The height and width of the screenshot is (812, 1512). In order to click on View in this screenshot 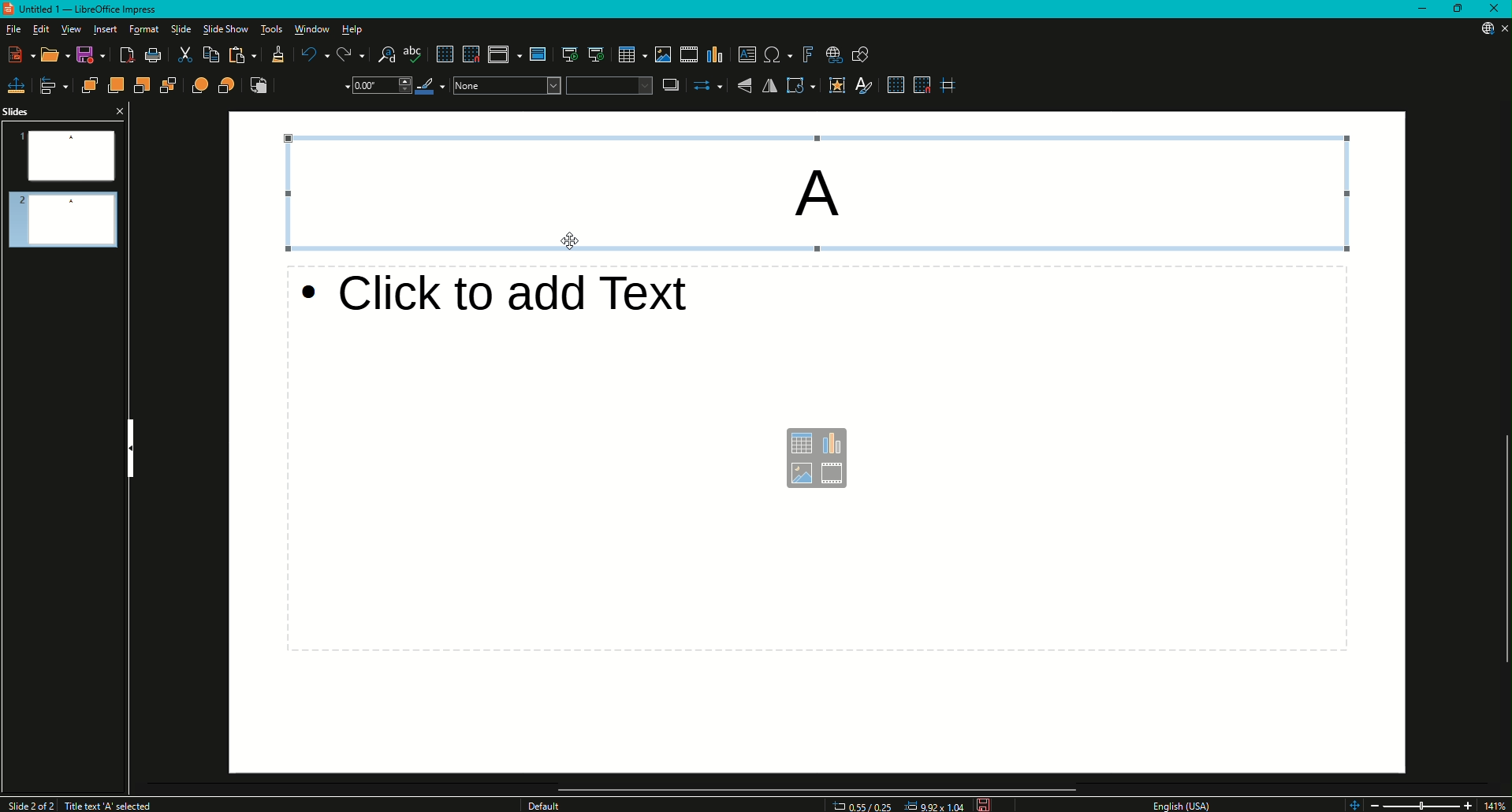, I will do `click(72, 29)`.